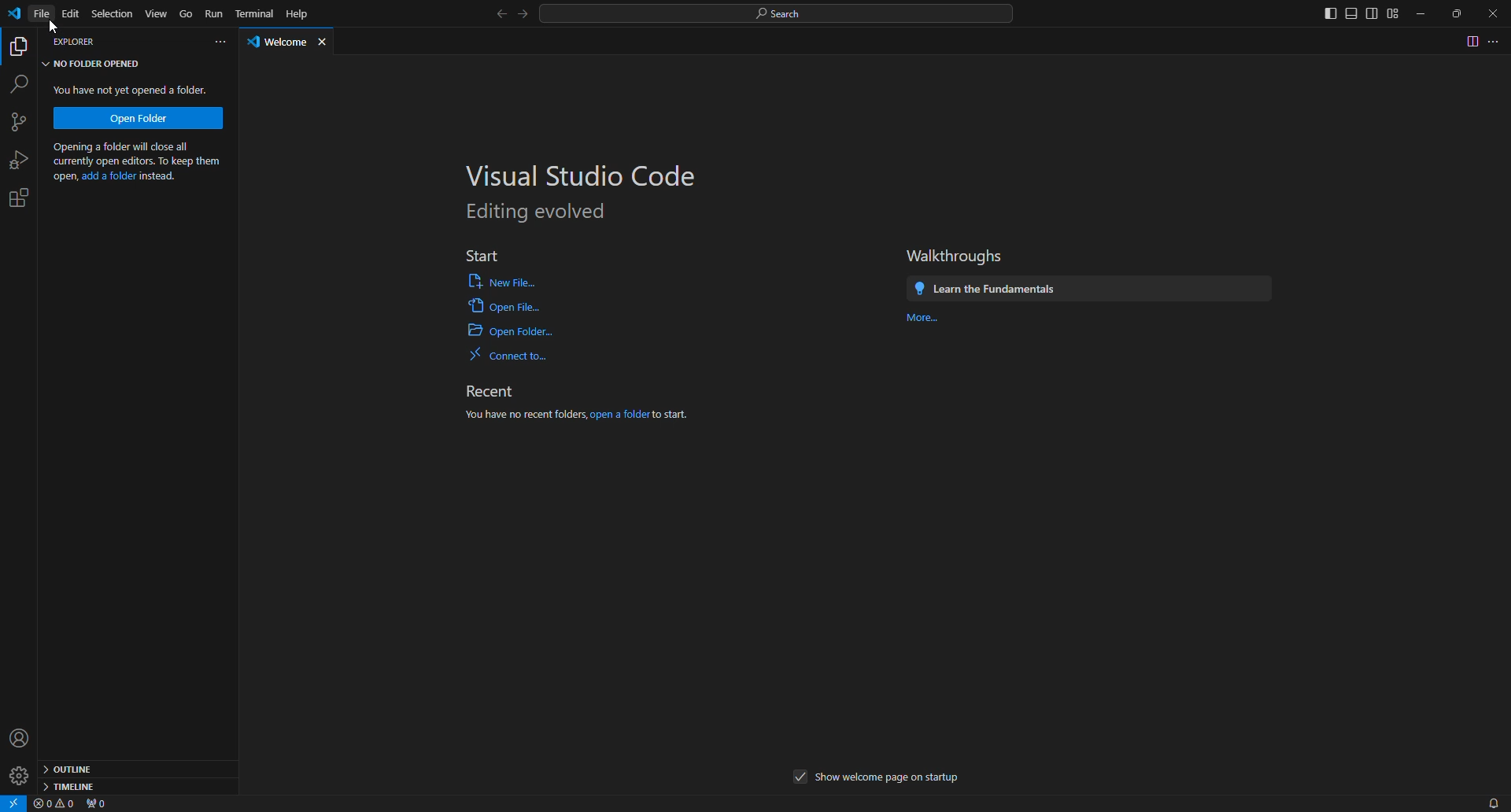 This screenshot has width=1511, height=812. What do you see at coordinates (1372, 14) in the screenshot?
I see `toggle secondary sidebar` at bounding box center [1372, 14].